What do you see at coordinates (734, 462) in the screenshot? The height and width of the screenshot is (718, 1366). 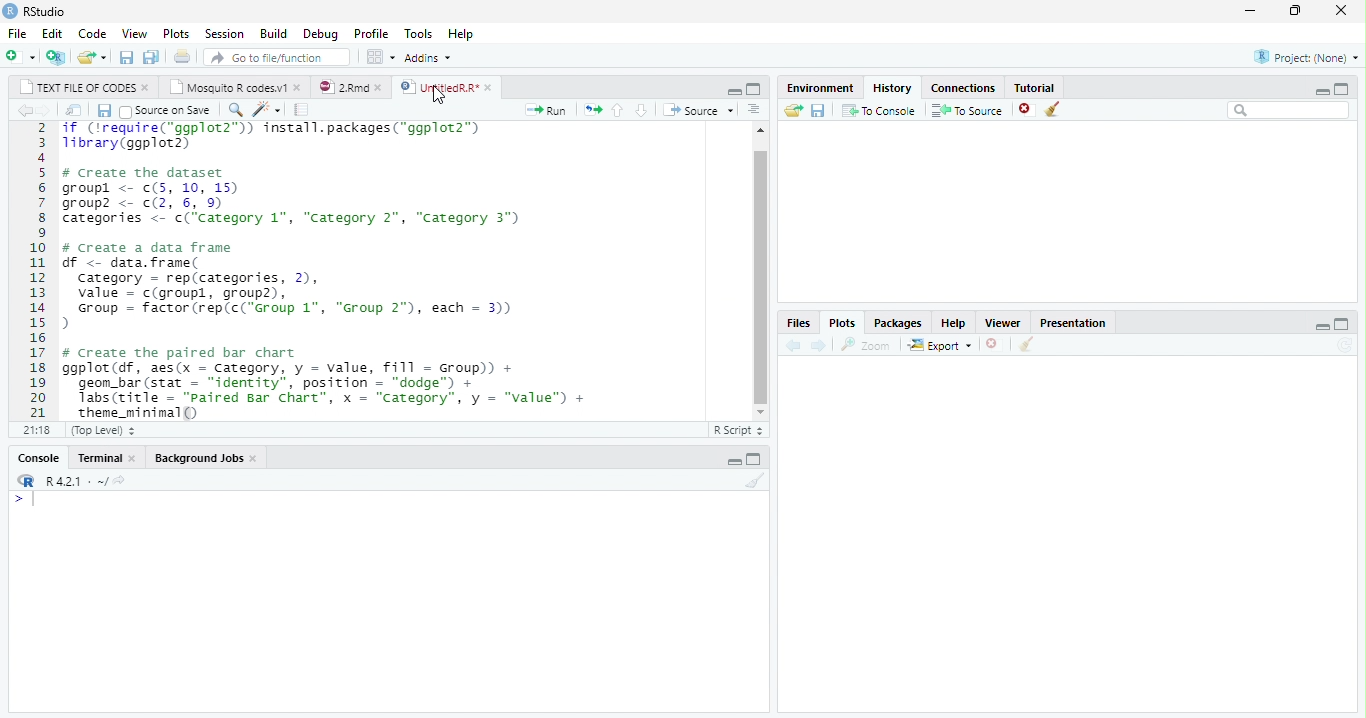 I see `minimize` at bounding box center [734, 462].